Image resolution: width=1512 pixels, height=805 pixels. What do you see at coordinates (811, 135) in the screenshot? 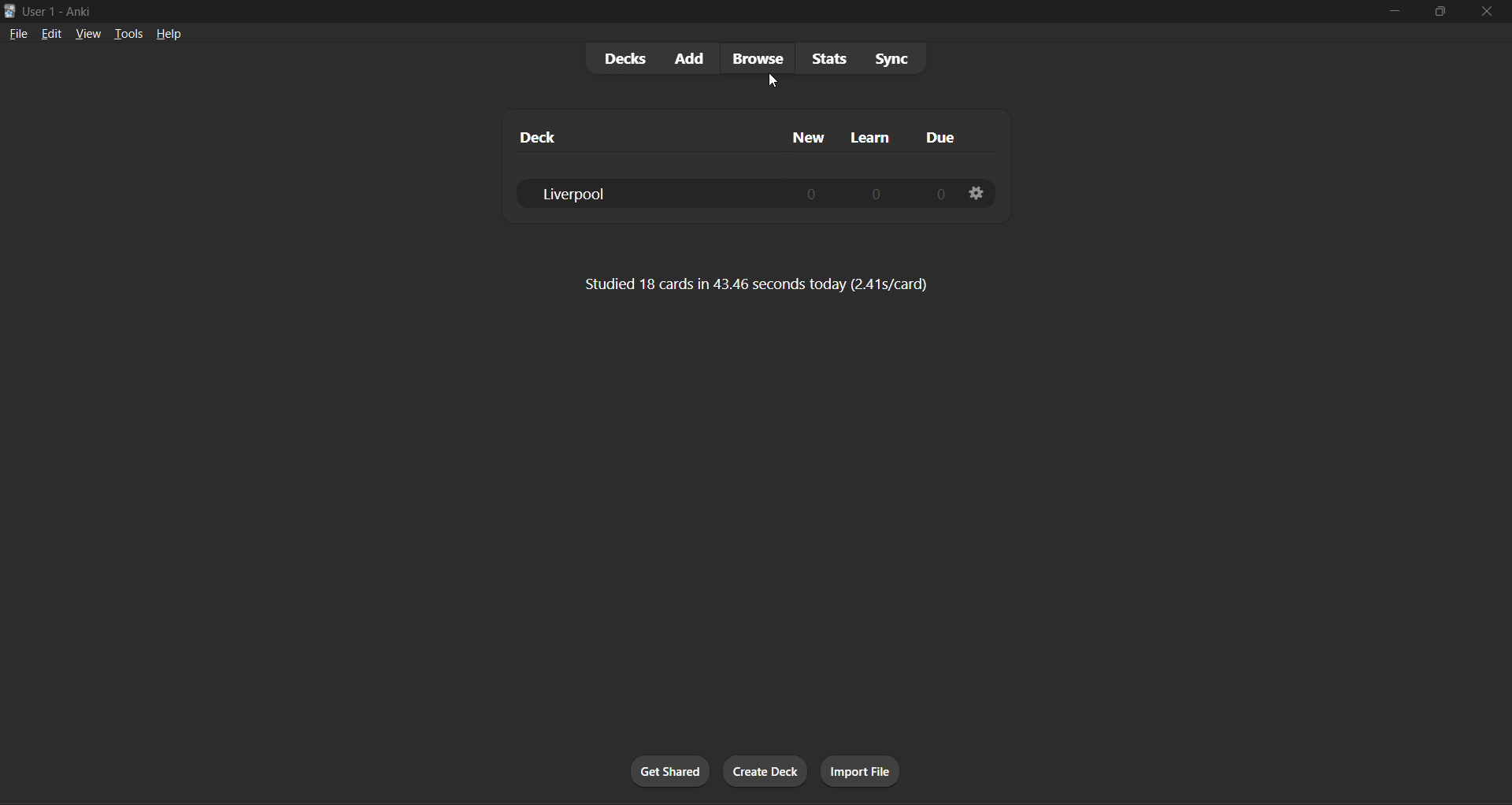
I see `new column` at bounding box center [811, 135].